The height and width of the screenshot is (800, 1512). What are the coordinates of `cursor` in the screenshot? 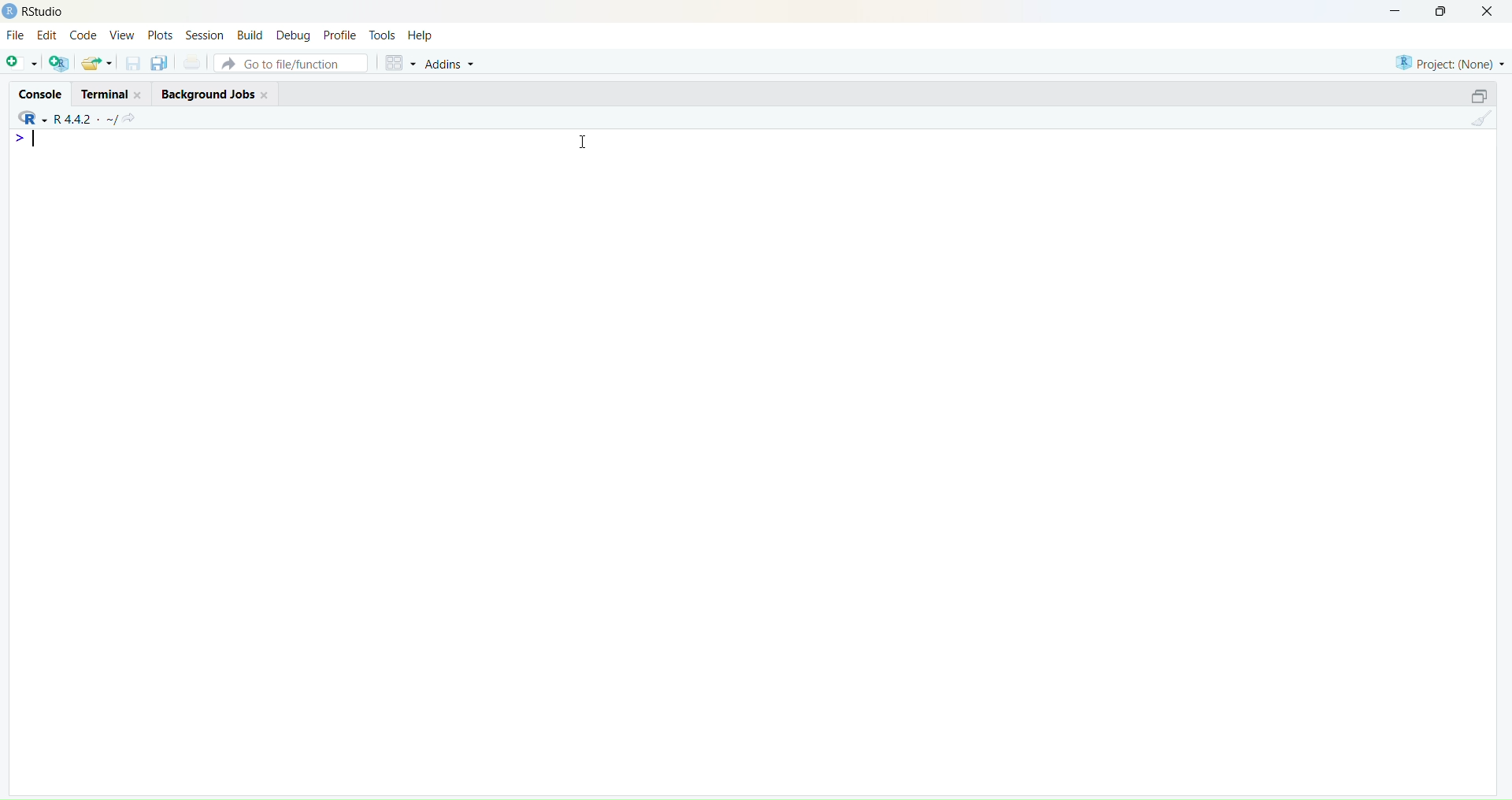 It's located at (584, 142).